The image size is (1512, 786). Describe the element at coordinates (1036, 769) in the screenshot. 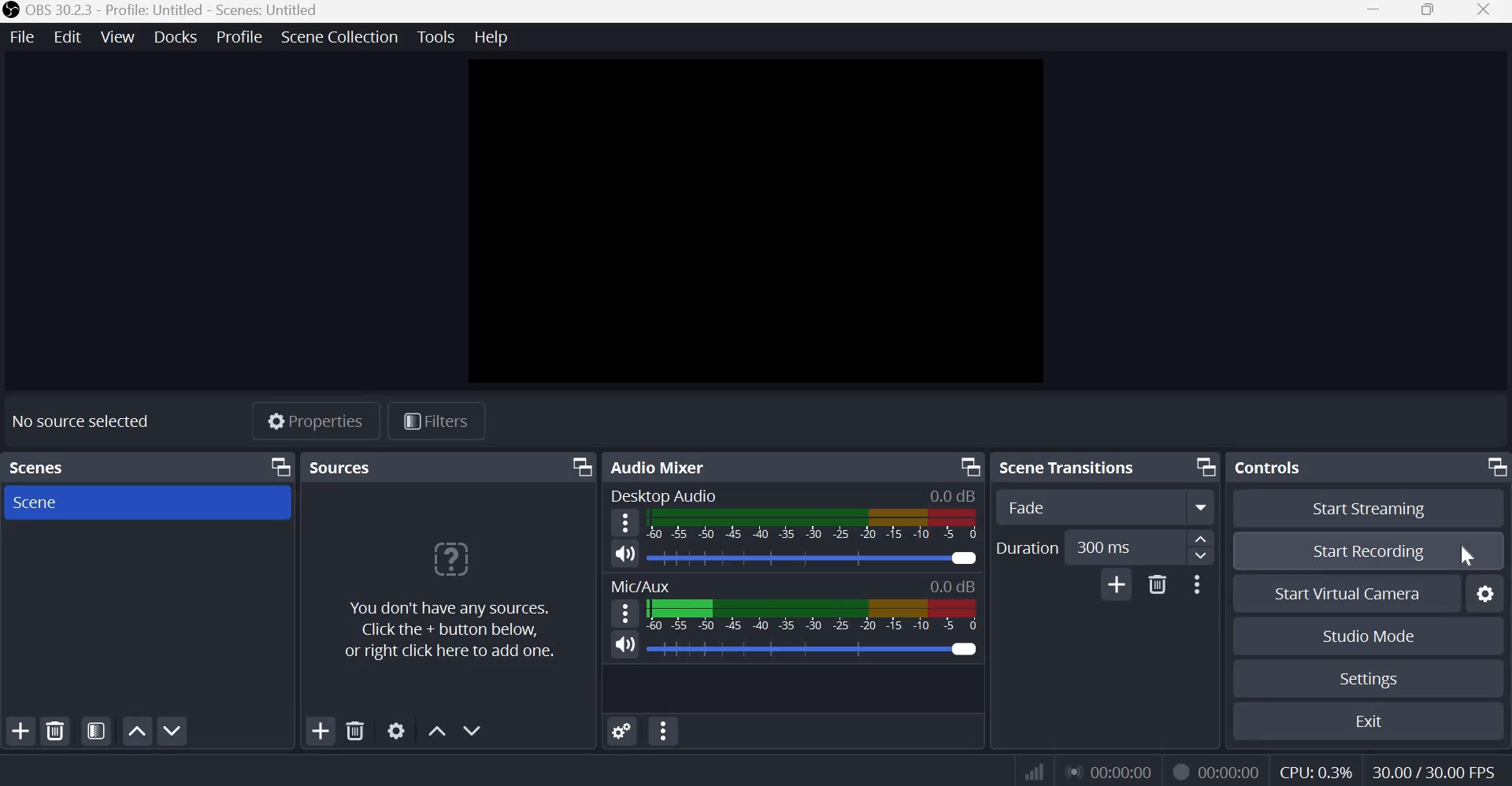

I see `Connection Status Indicator` at that location.